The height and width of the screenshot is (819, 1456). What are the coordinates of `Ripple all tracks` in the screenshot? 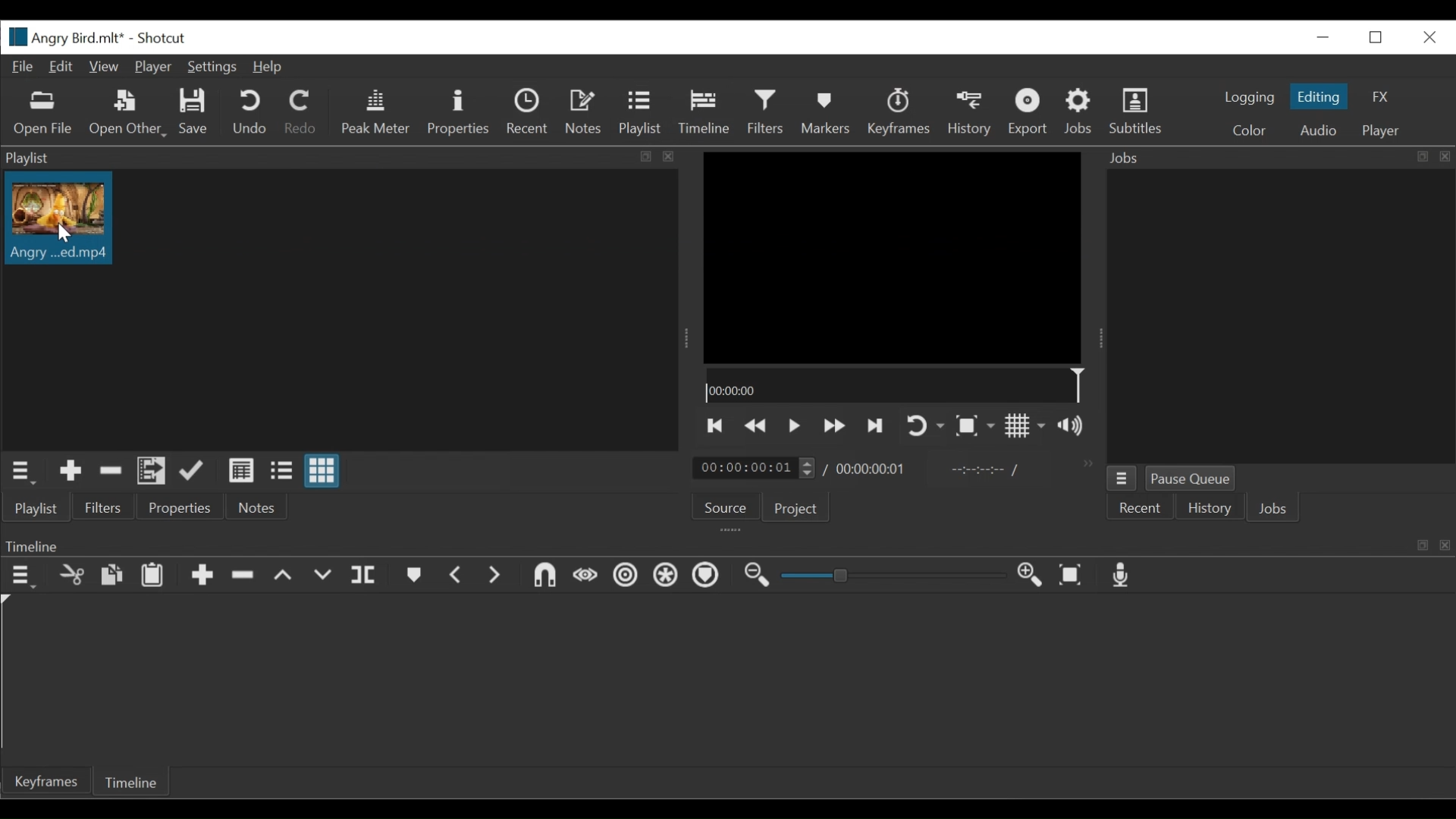 It's located at (664, 575).